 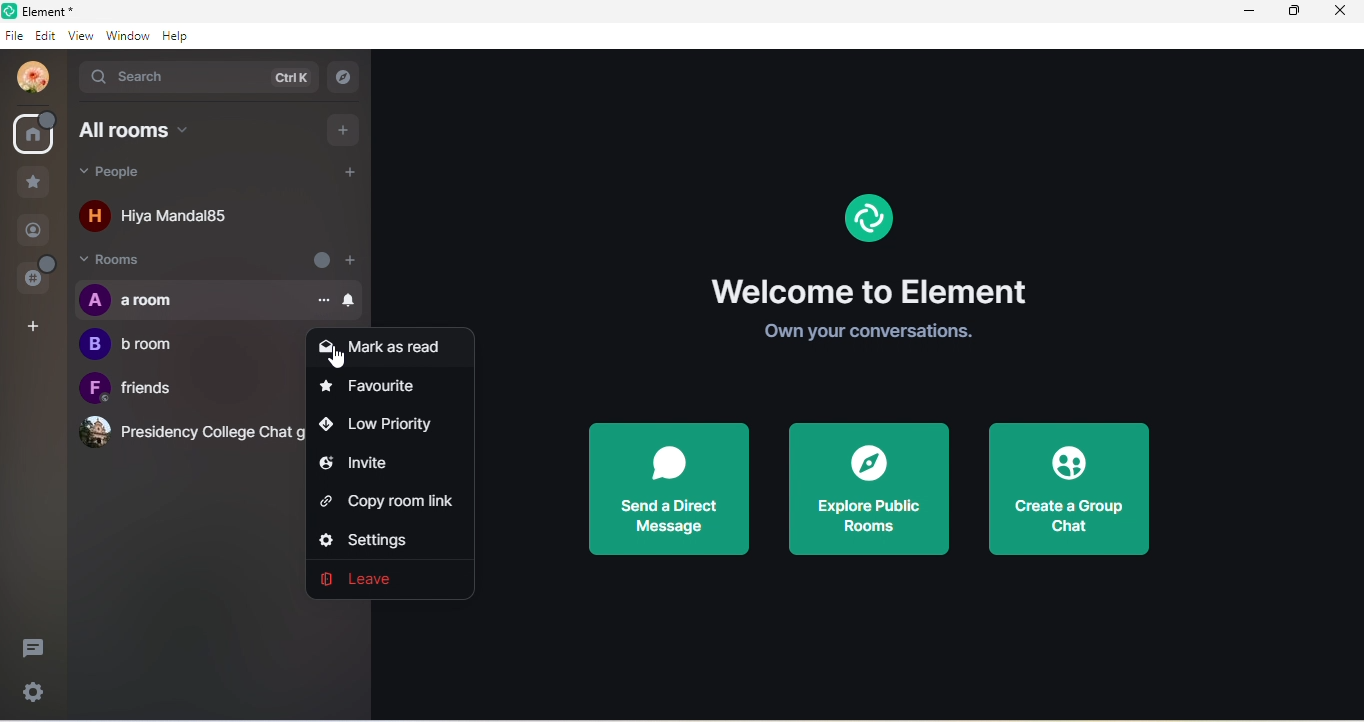 What do you see at coordinates (382, 350) in the screenshot?
I see `mark as read` at bounding box center [382, 350].